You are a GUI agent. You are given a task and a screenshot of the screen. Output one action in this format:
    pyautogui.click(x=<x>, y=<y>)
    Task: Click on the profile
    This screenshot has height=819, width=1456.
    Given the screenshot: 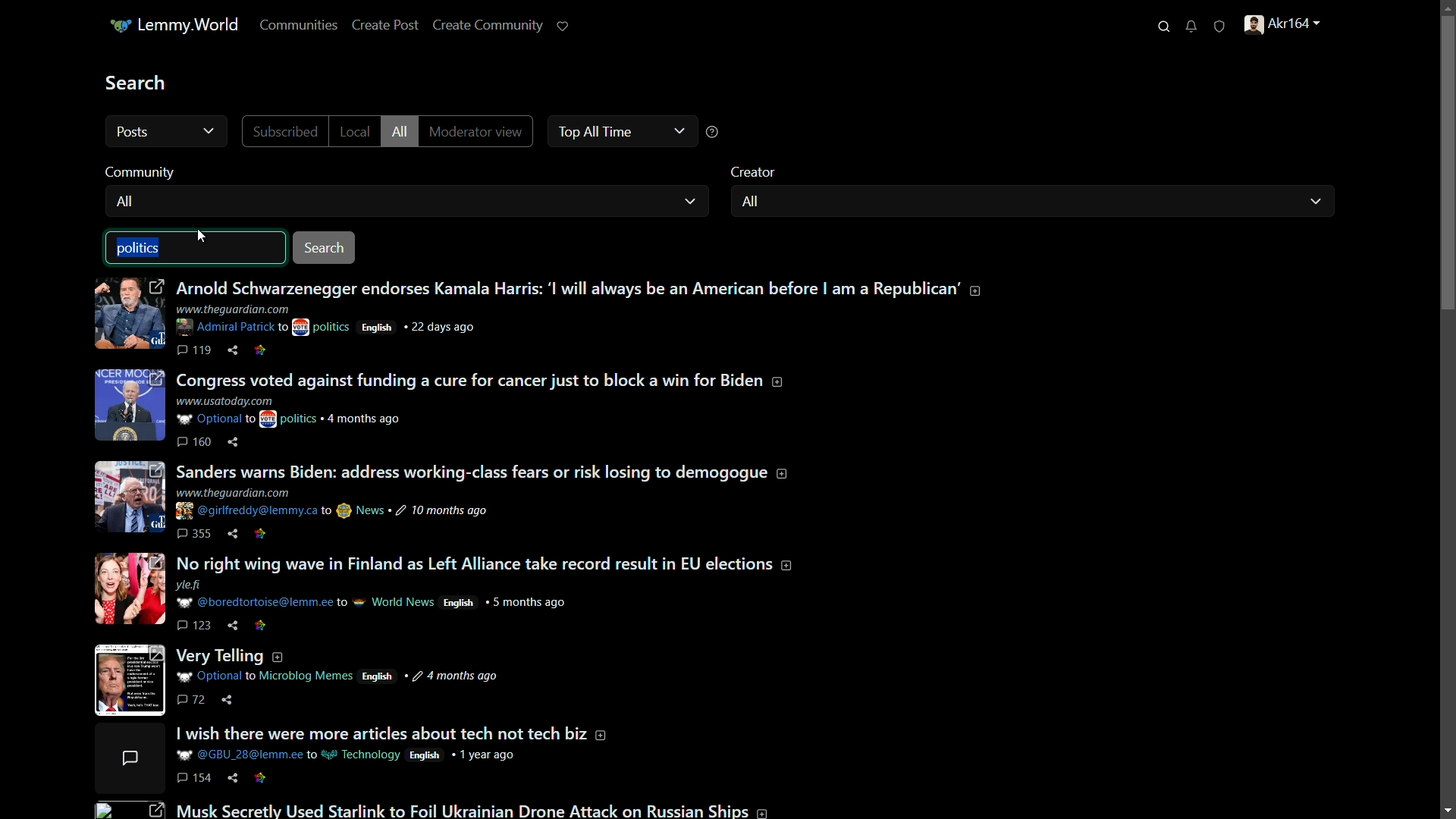 What is the action you would take?
    pyautogui.click(x=1284, y=25)
    